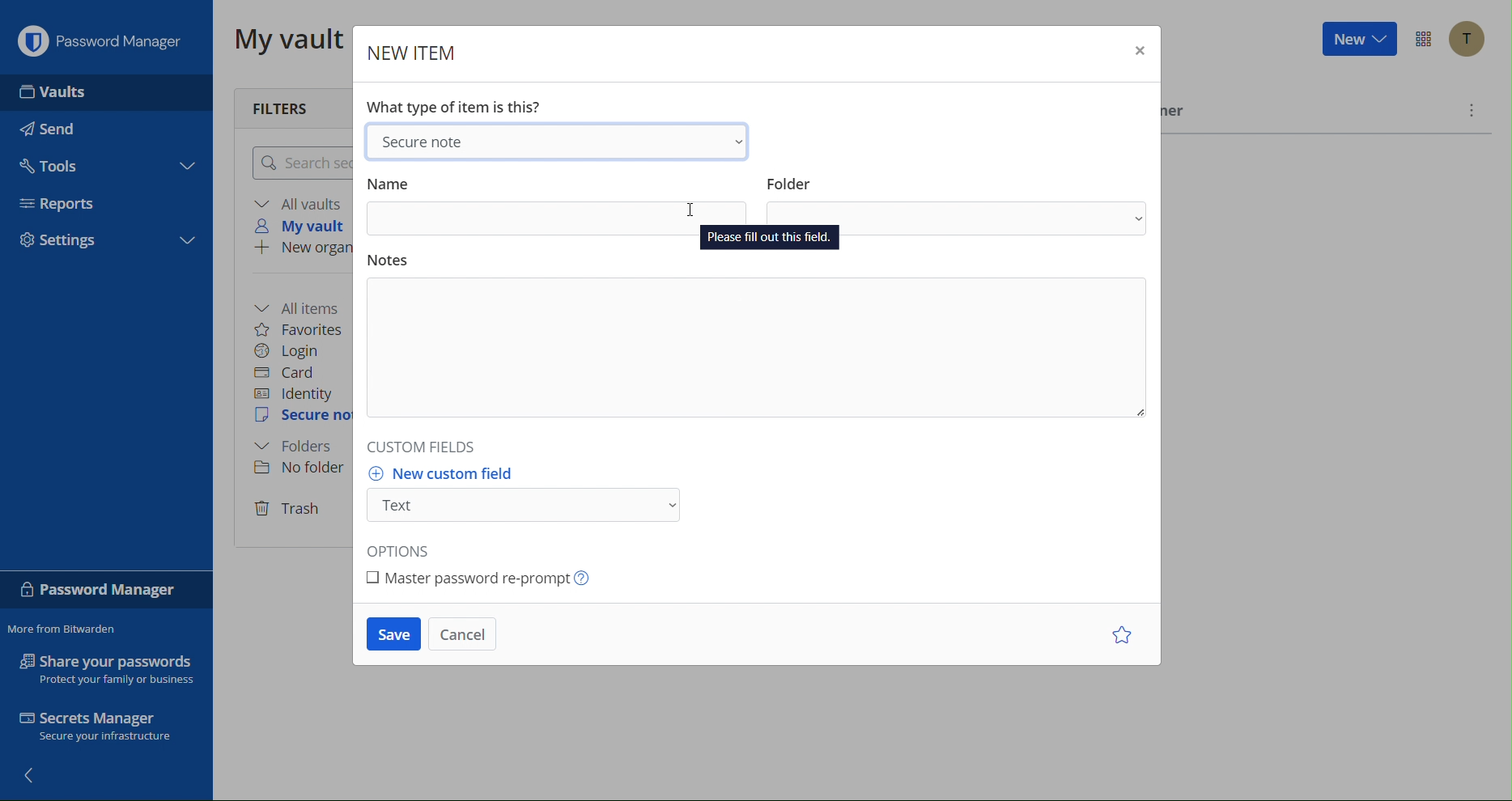  I want to click on All items, so click(304, 306).